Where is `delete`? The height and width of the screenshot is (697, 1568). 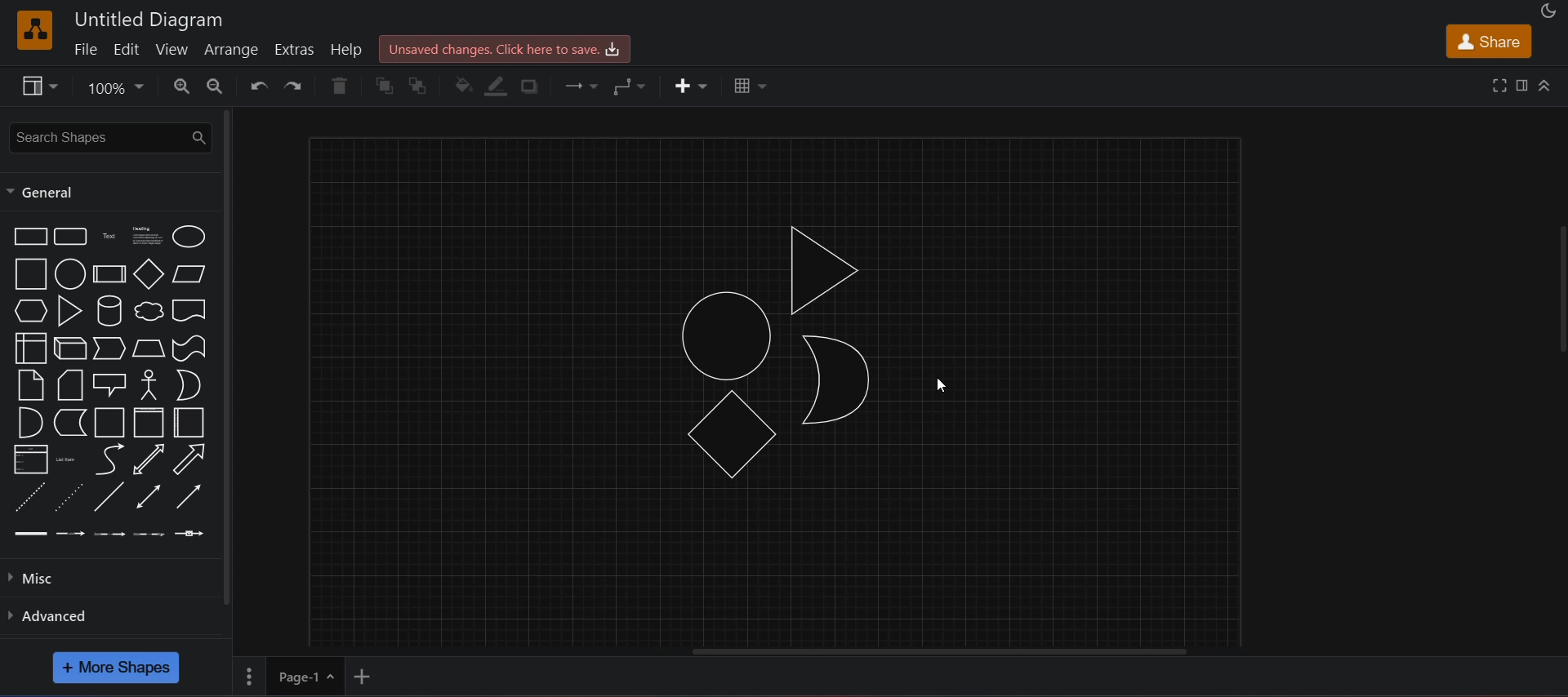
delete is located at coordinates (343, 86).